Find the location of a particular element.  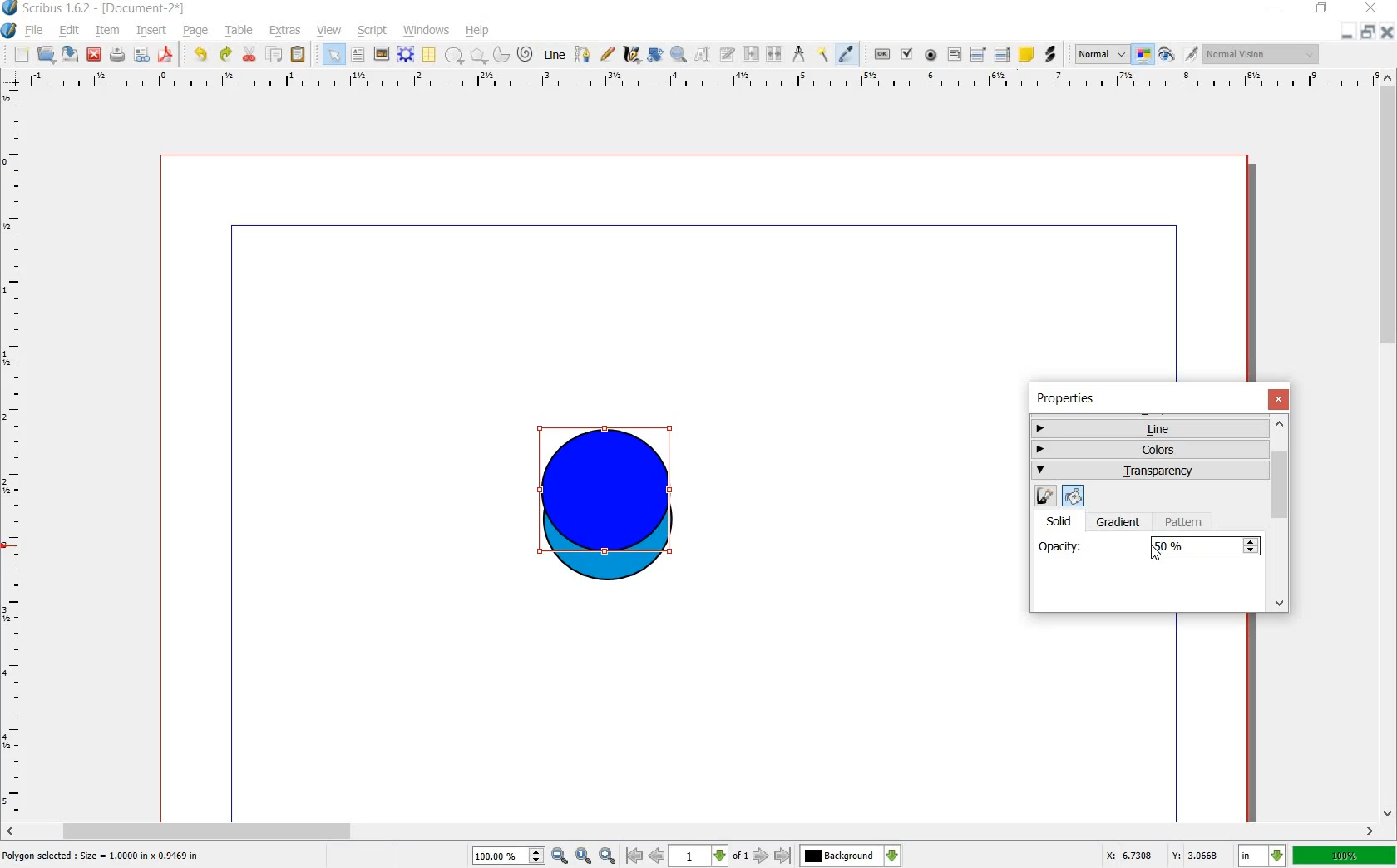

go to first or previous page is located at coordinates (645, 856).